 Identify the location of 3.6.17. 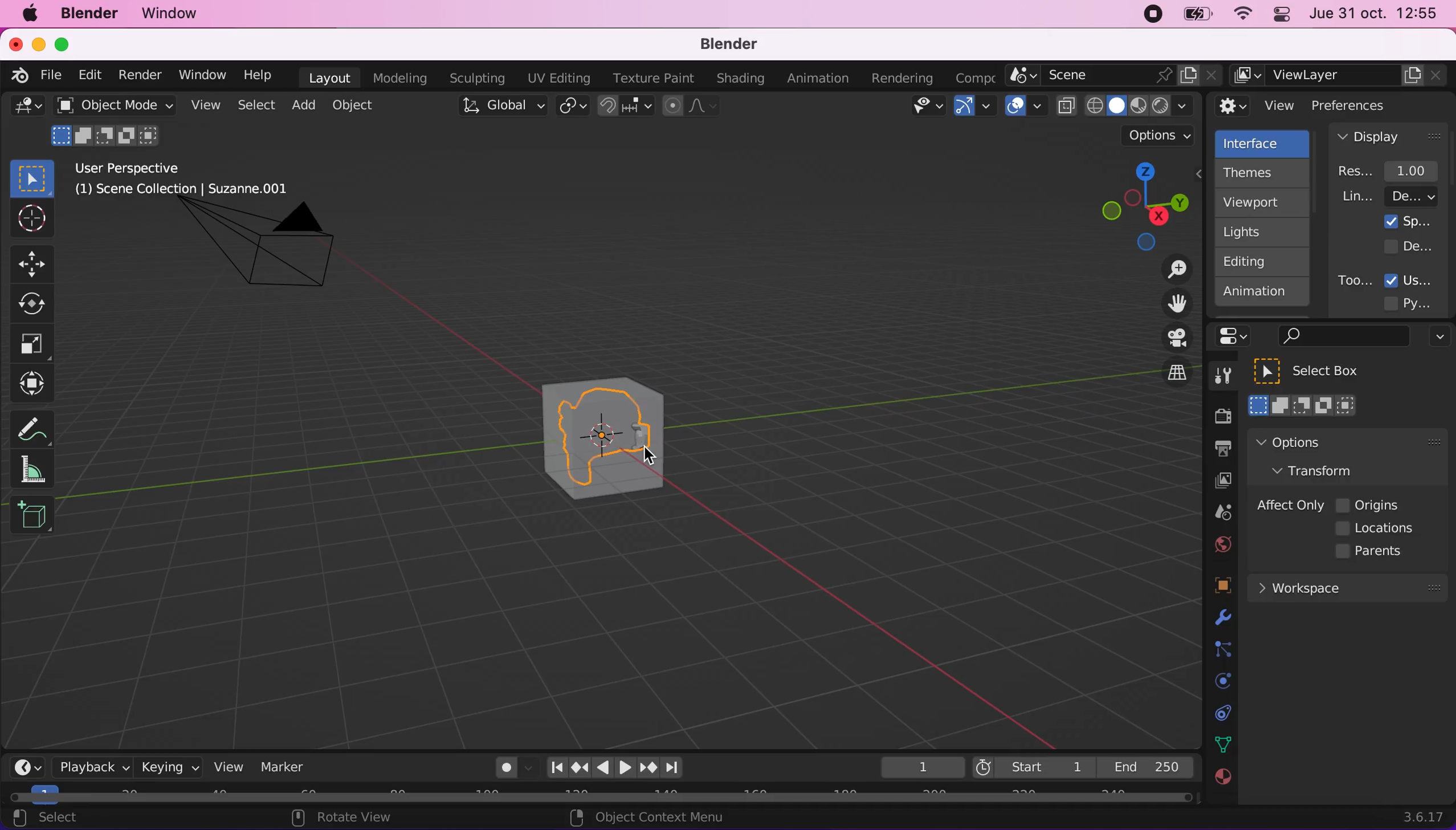
(1426, 817).